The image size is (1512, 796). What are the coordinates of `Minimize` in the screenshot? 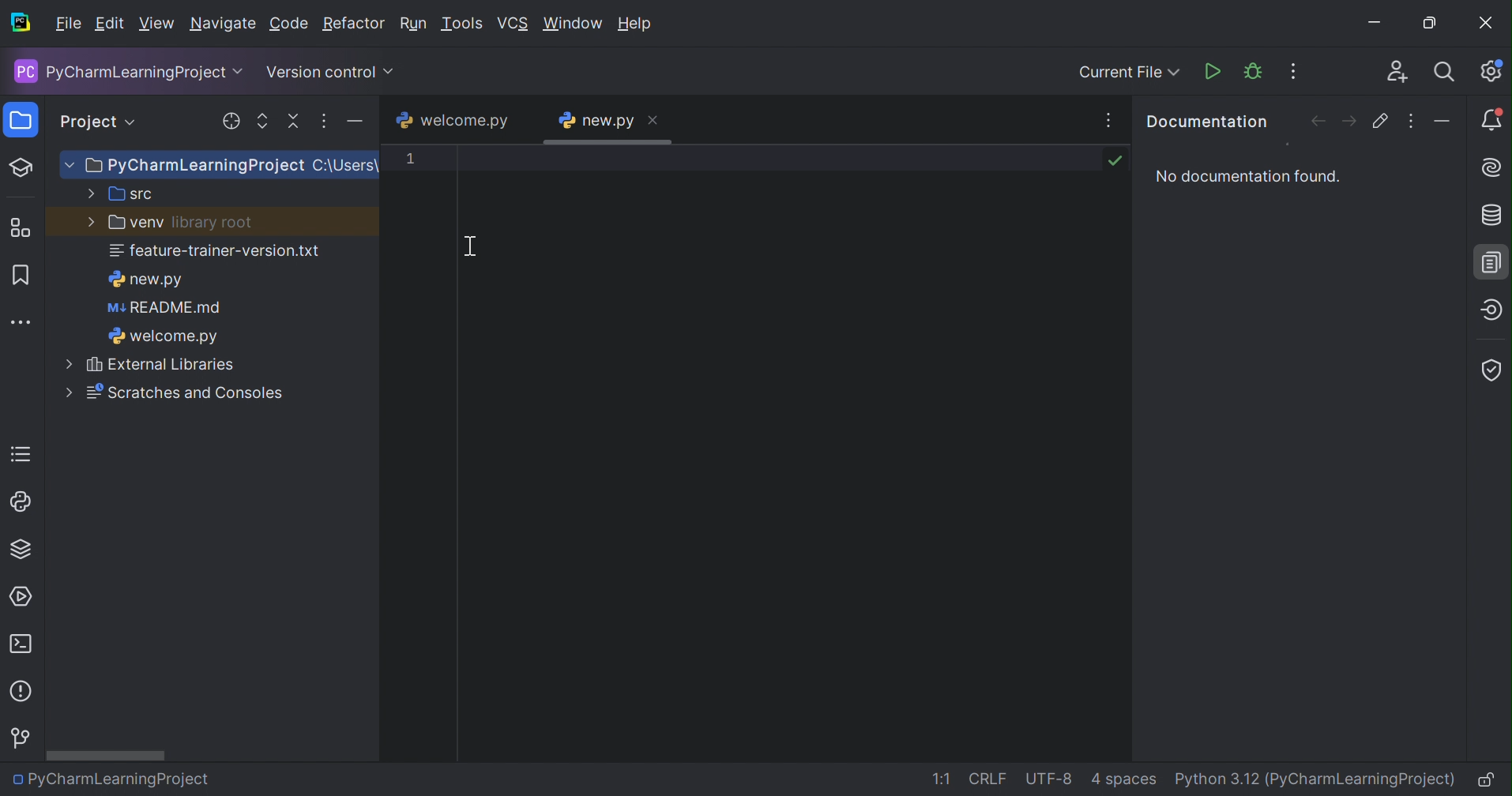 It's located at (1377, 22).